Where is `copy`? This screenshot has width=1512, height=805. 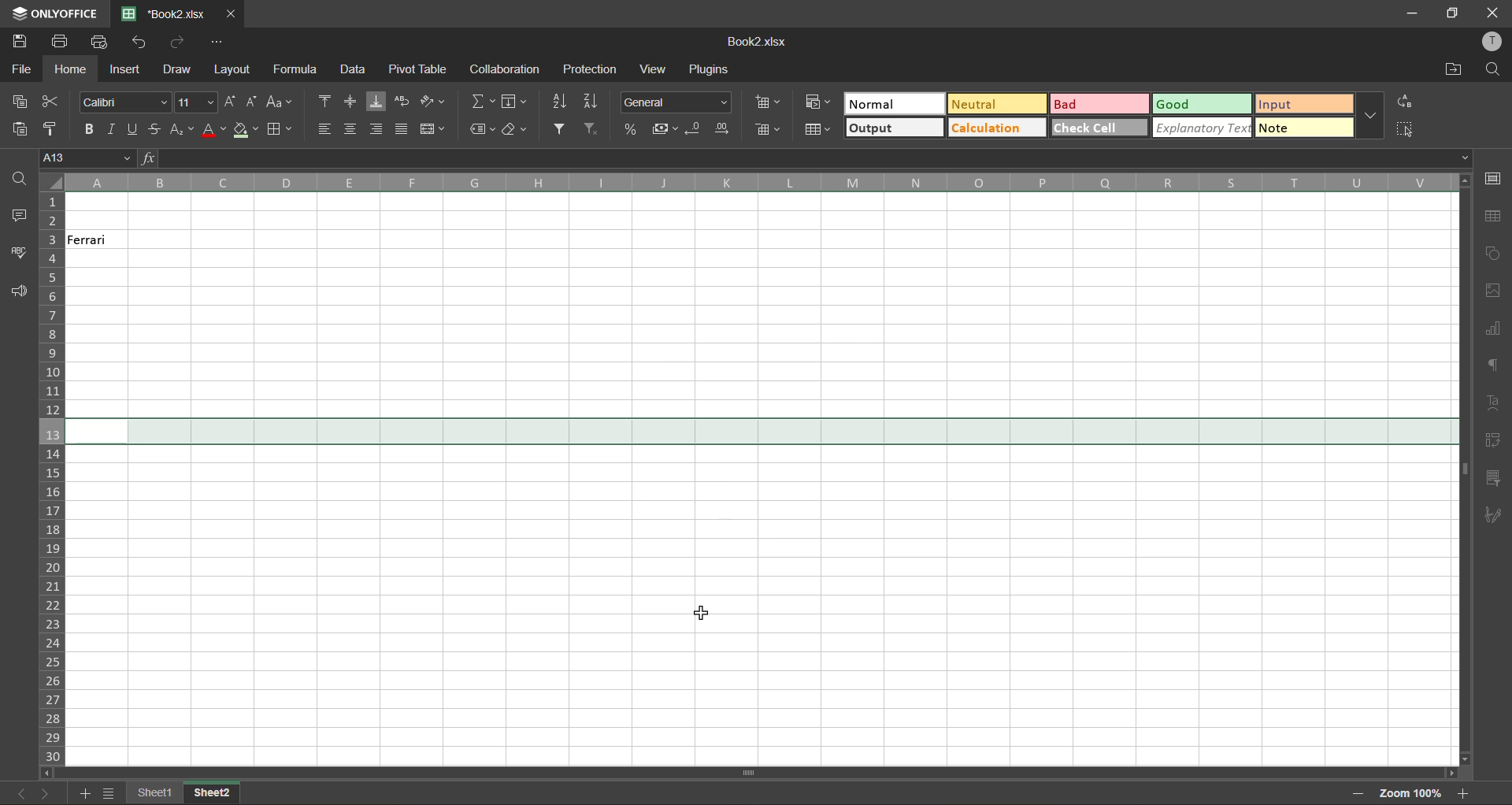
copy is located at coordinates (24, 103).